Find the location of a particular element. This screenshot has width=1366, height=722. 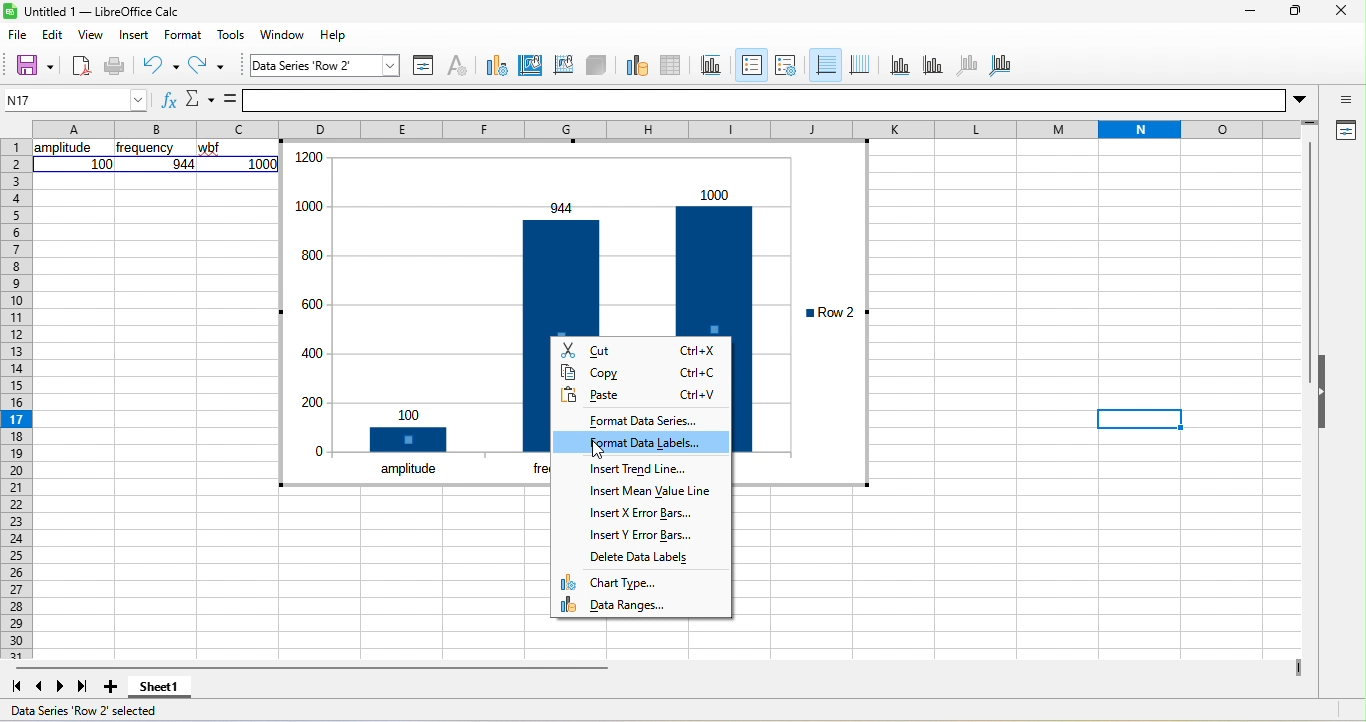

previous sheet is located at coordinates (41, 687).